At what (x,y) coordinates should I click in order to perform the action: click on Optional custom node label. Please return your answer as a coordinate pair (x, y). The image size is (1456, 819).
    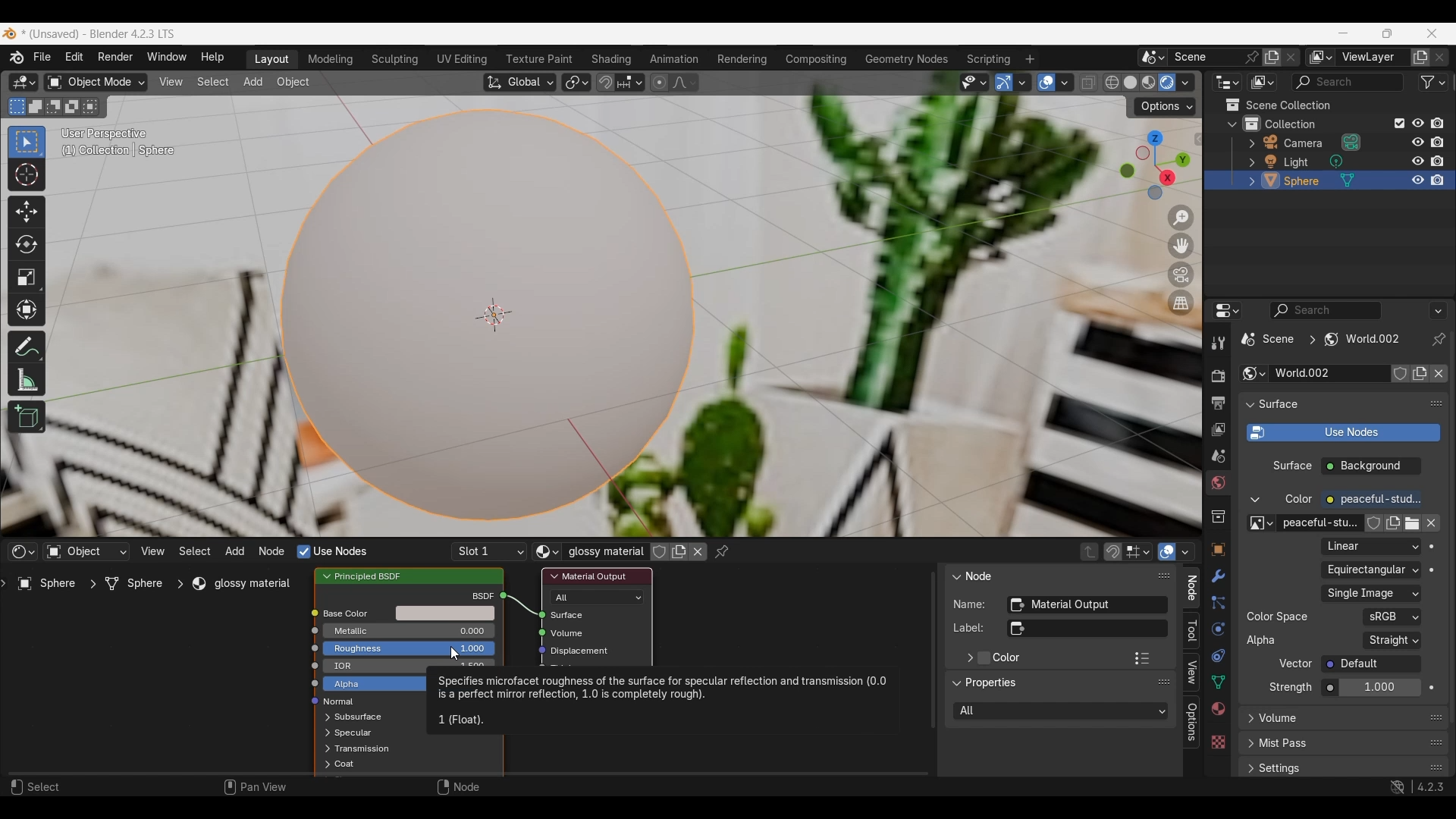
    Looking at the image, I should click on (1087, 629).